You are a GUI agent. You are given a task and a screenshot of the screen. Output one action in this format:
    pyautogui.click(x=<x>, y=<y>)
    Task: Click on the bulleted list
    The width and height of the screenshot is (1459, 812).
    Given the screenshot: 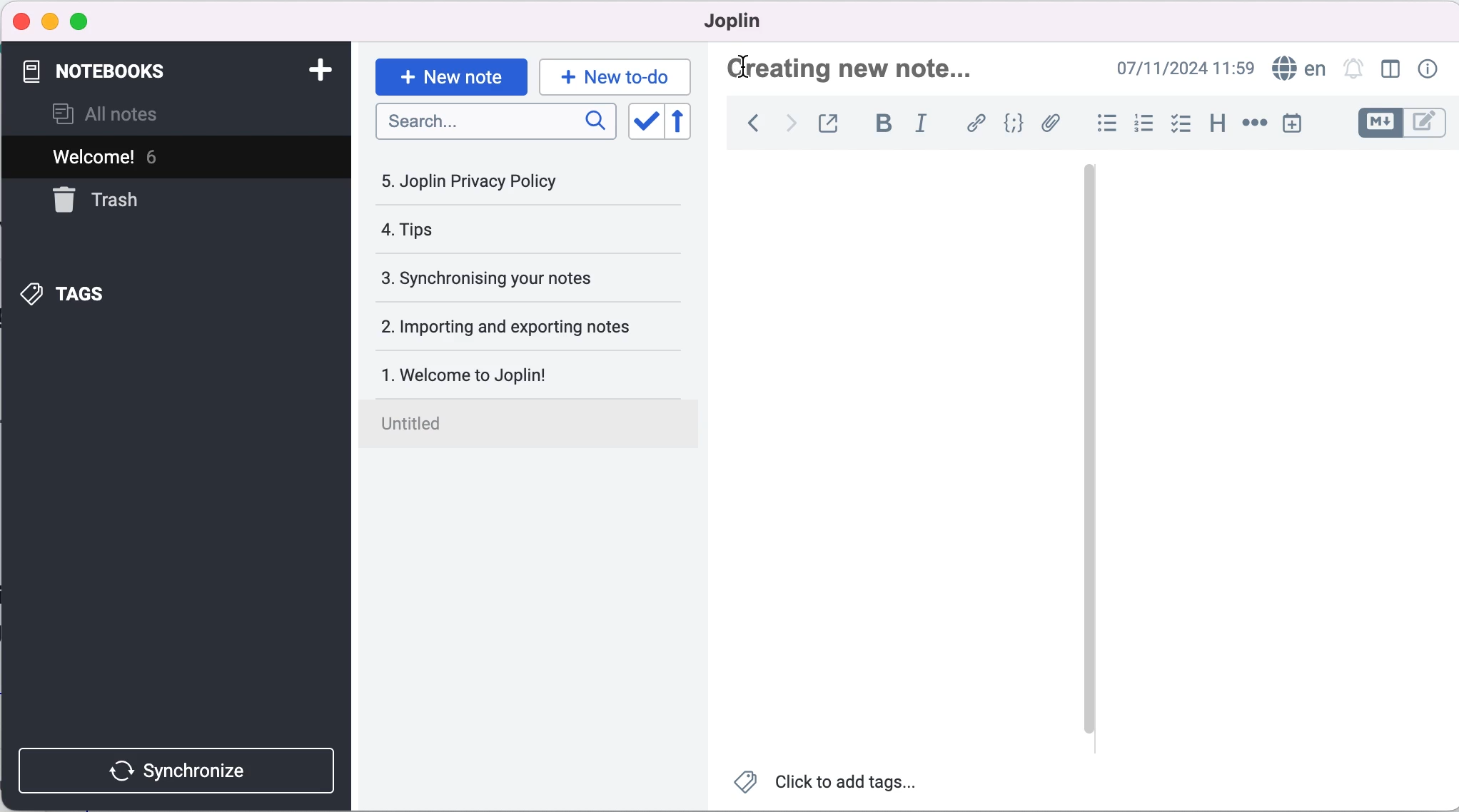 What is the action you would take?
    pyautogui.click(x=1104, y=122)
    